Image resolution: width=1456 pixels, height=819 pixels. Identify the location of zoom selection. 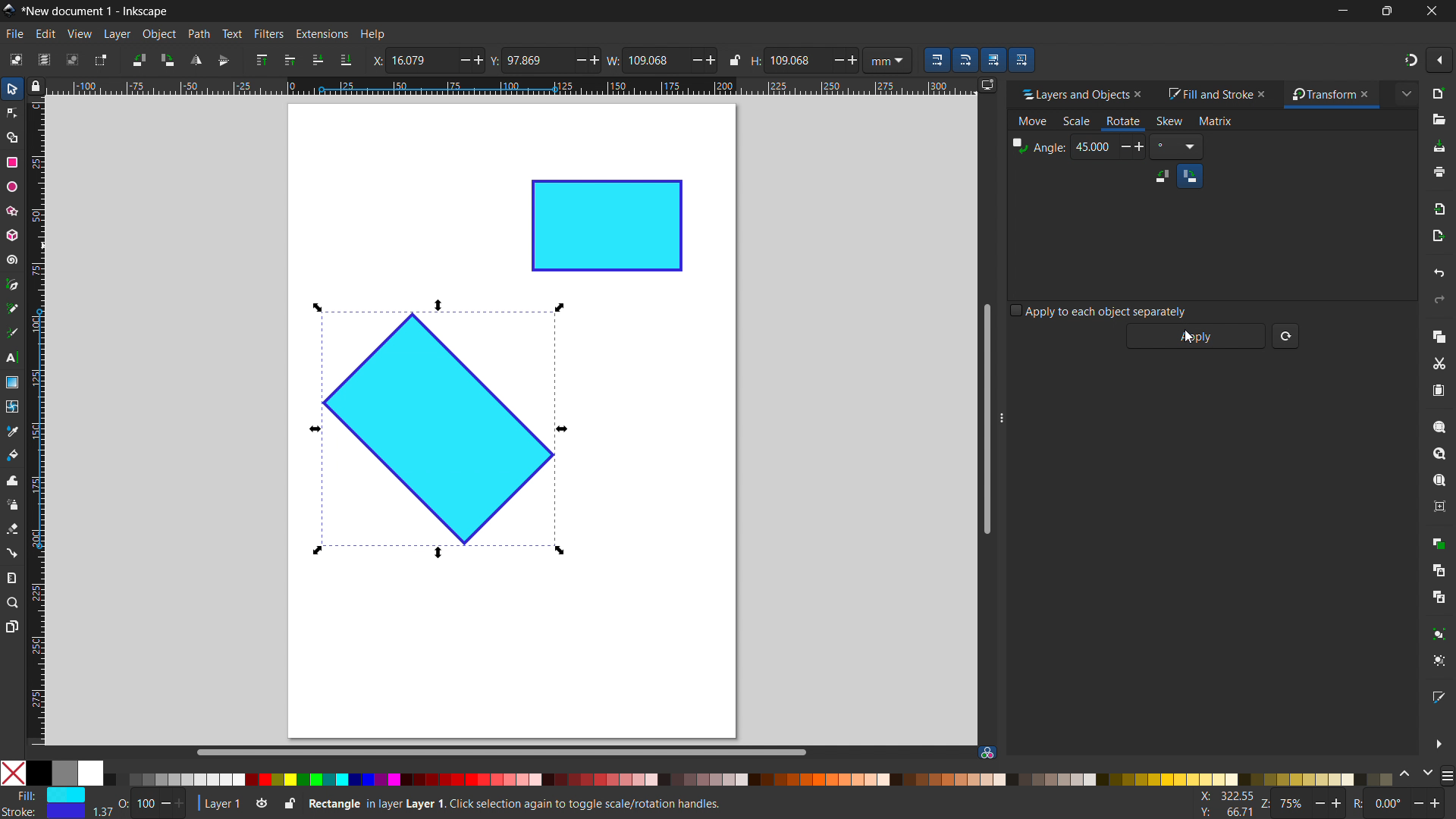
(1439, 427).